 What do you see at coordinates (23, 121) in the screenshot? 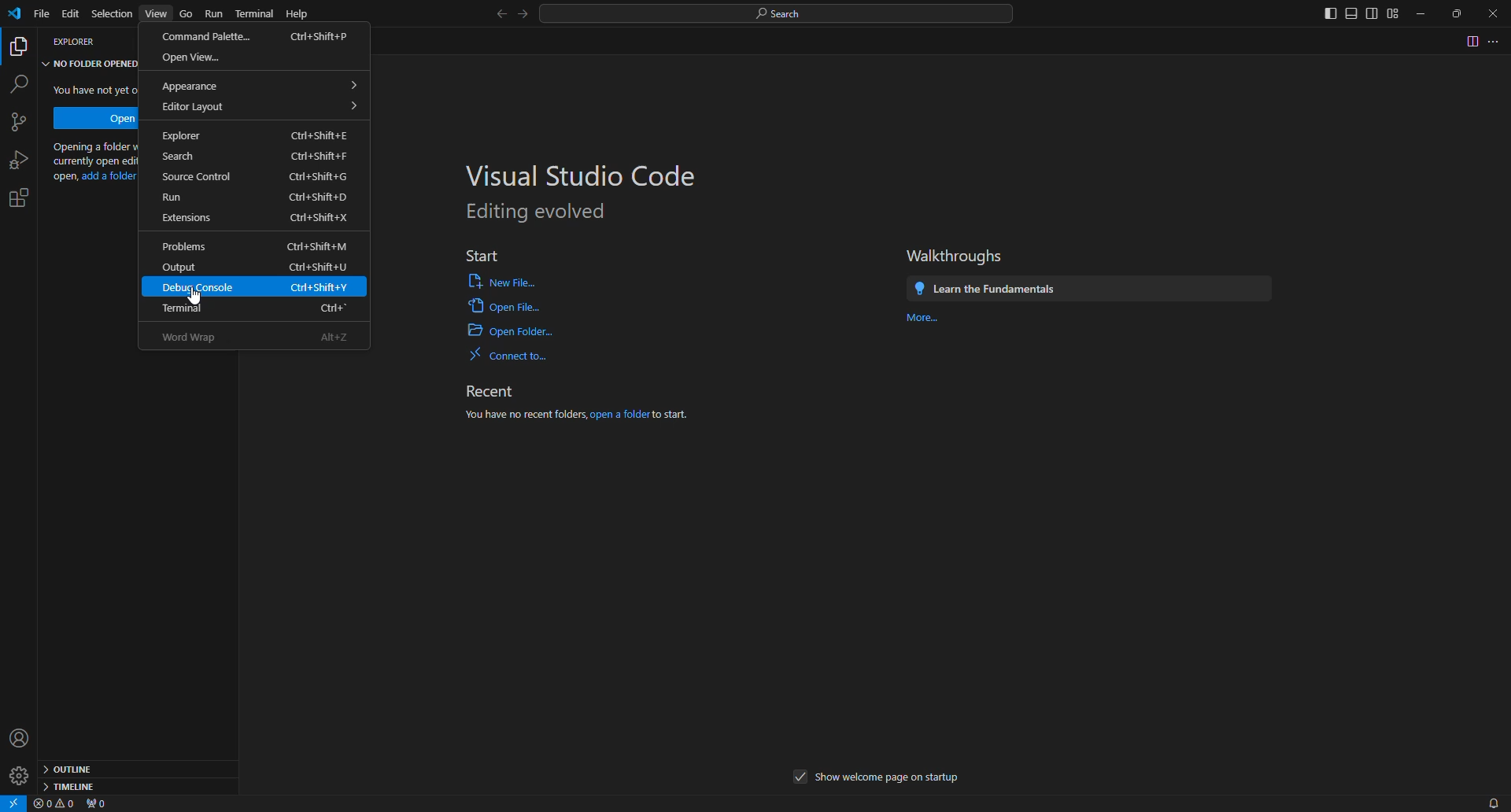
I see `New project` at bounding box center [23, 121].